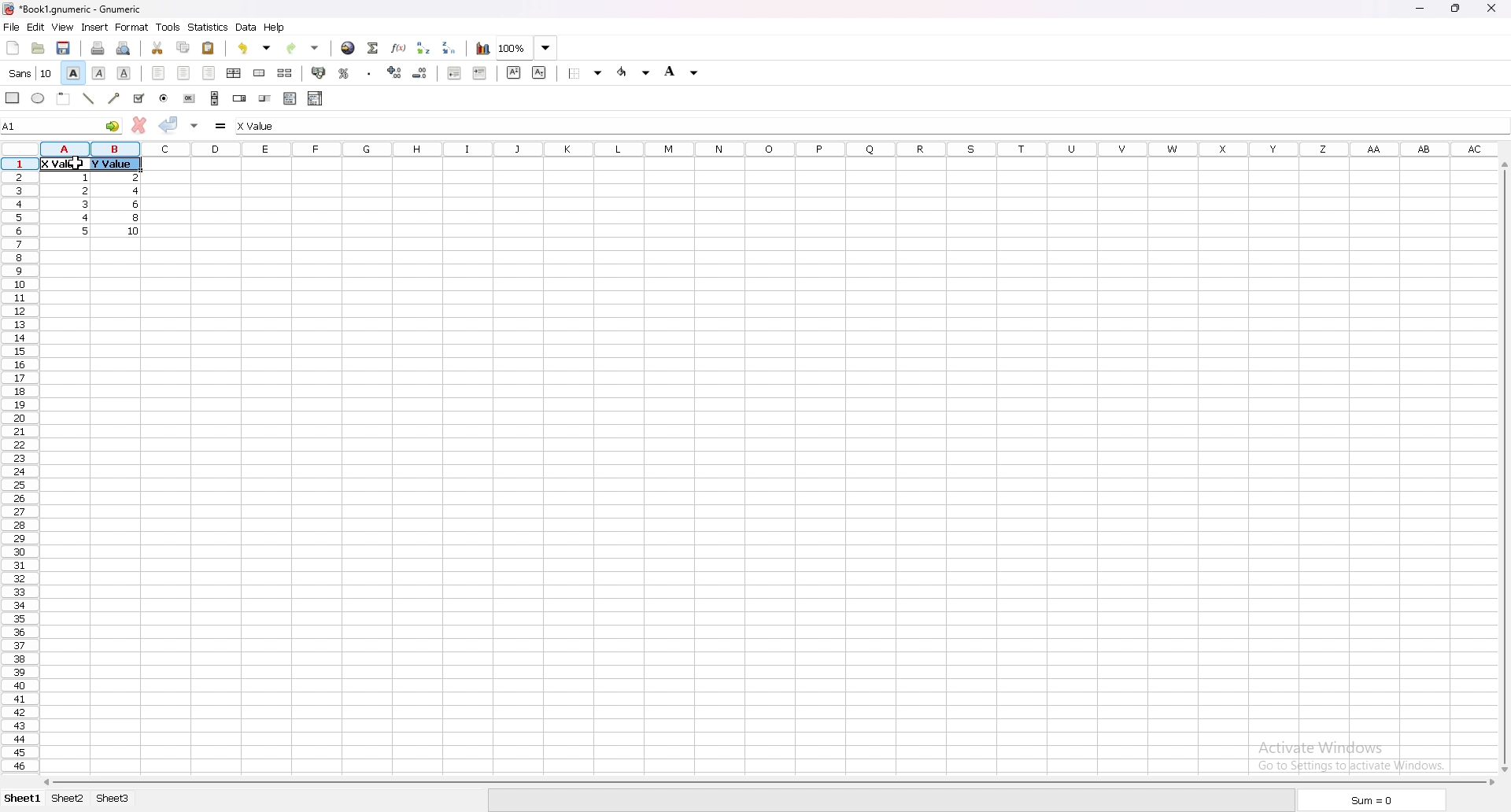 The width and height of the screenshot is (1511, 812). What do you see at coordinates (635, 72) in the screenshot?
I see `foreground` at bounding box center [635, 72].